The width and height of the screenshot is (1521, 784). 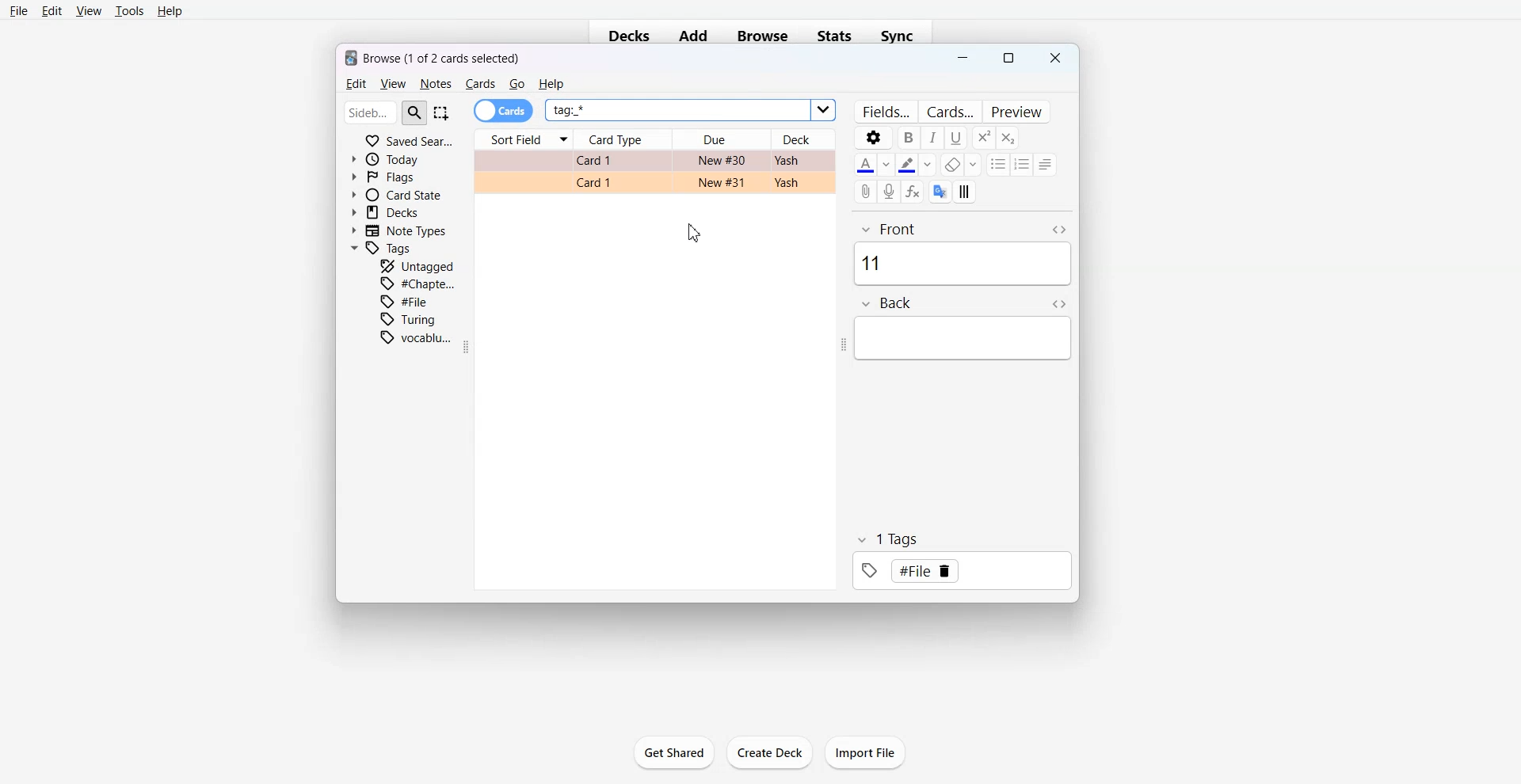 What do you see at coordinates (843, 346) in the screenshot?
I see `Drag Handle` at bounding box center [843, 346].